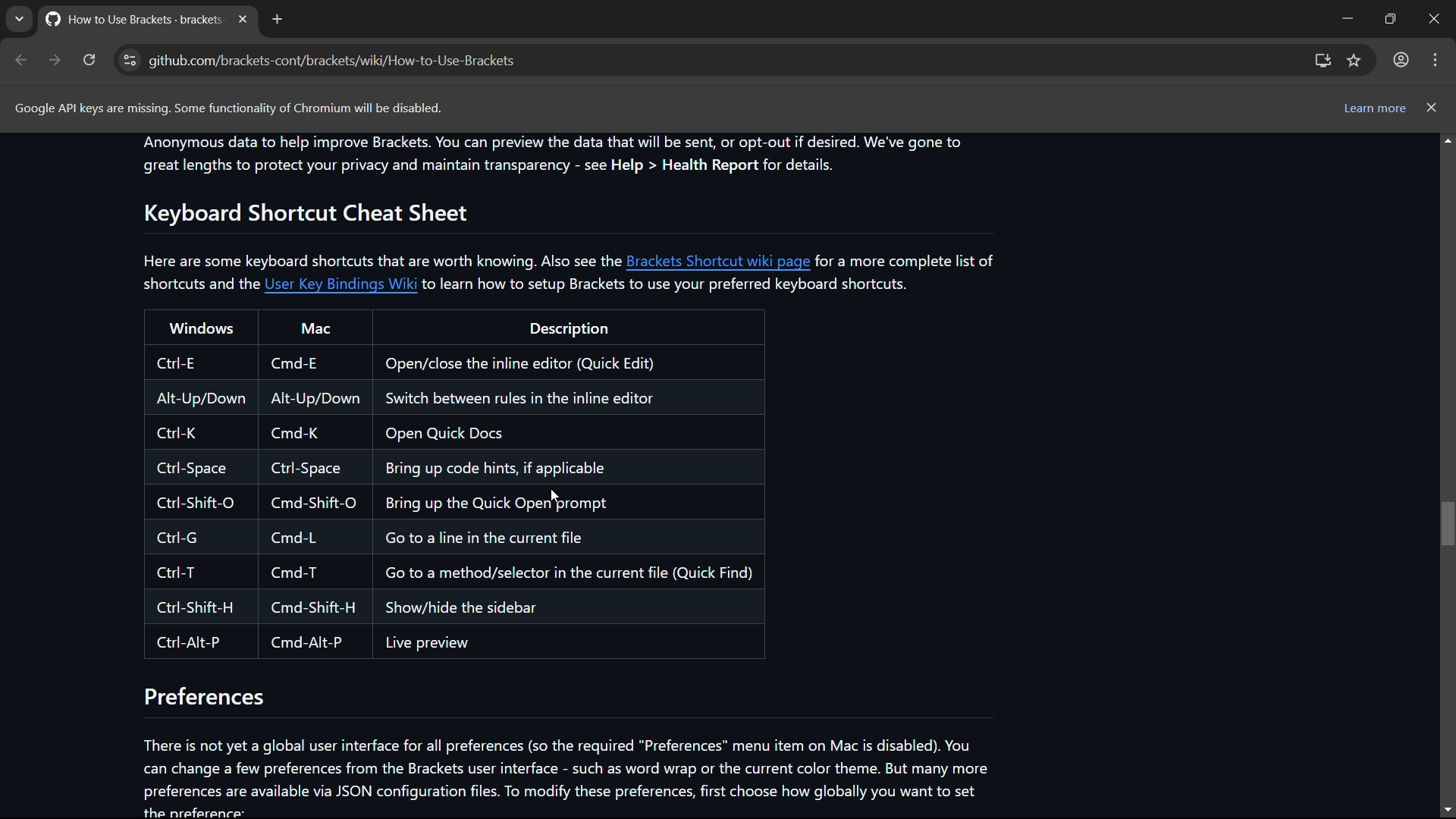  Describe the element at coordinates (555, 155) in the screenshot. I see `Anonymous data to help improve Brackets. You can preview the data that will be sent, or opt-out if desired. We've gone to
great lengths to protect your privacy and maintain transparency - see Help > Health Report for details.` at that location.